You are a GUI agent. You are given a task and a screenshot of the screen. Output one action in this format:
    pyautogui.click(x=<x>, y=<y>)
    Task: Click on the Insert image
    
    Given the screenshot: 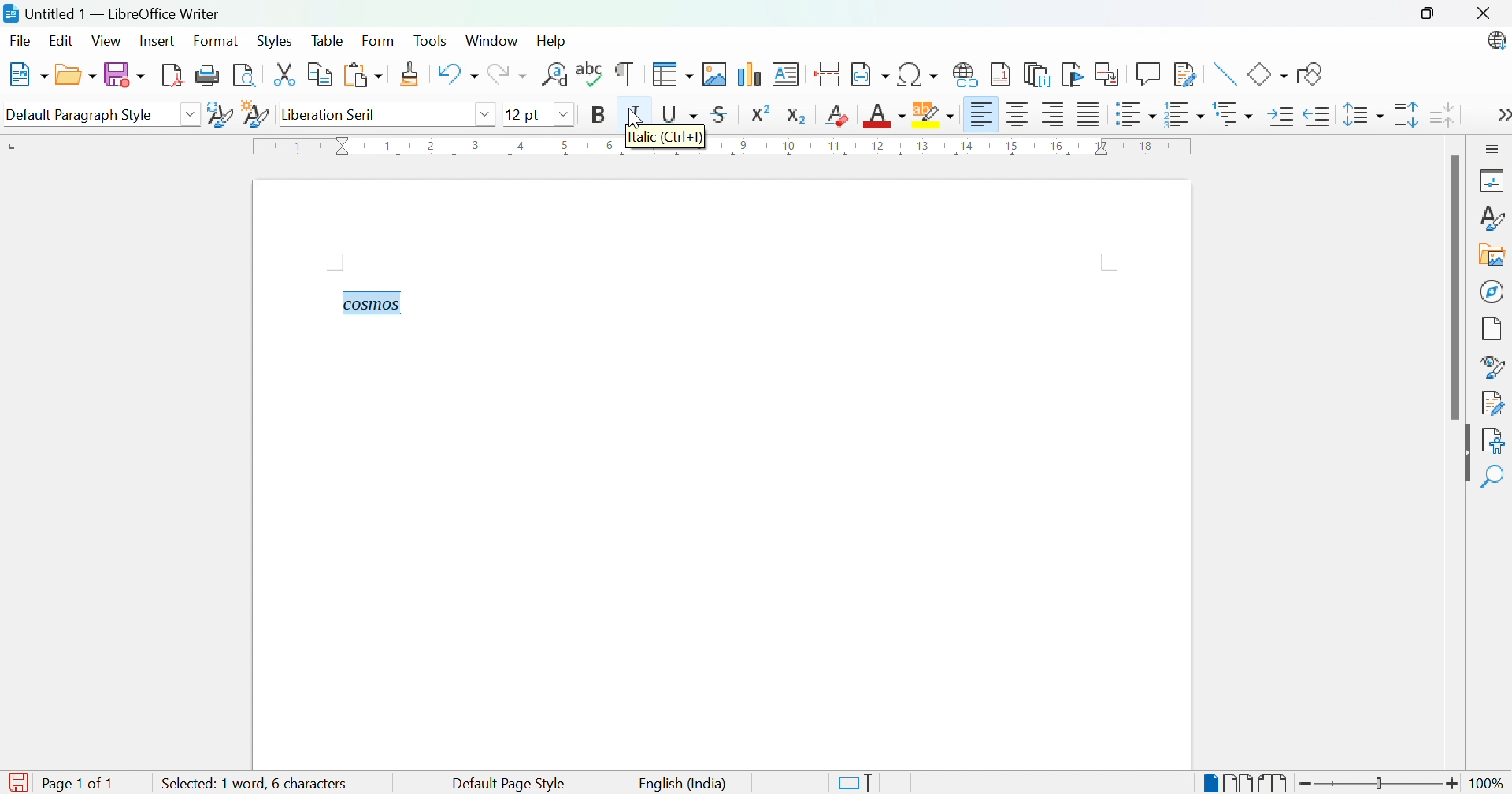 What is the action you would take?
    pyautogui.click(x=714, y=74)
    